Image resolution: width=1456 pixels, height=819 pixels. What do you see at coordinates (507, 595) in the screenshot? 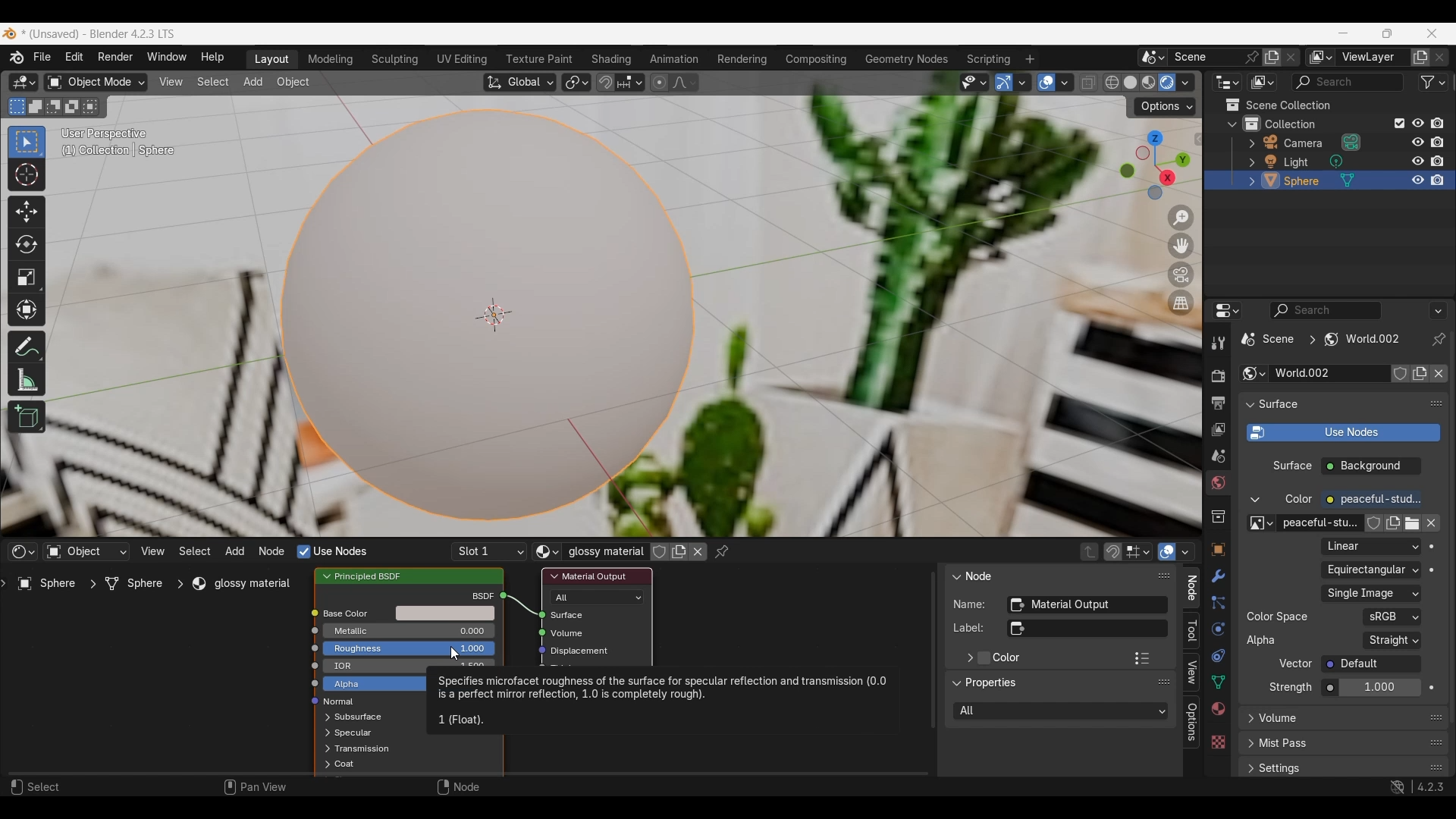
I see `icon` at bounding box center [507, 595].